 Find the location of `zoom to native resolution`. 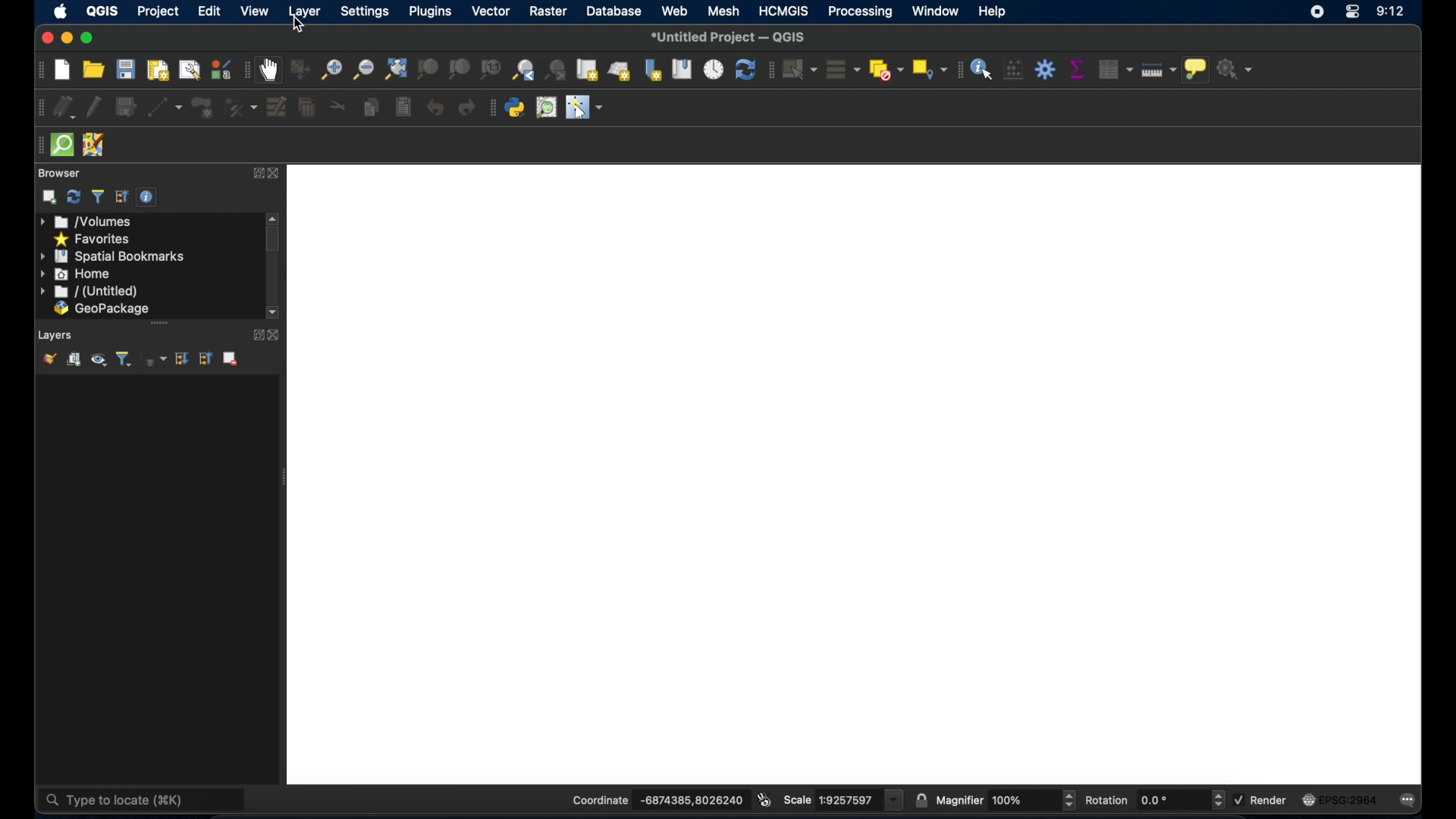

zoom to native resolution is located at coordinates (490, 69).